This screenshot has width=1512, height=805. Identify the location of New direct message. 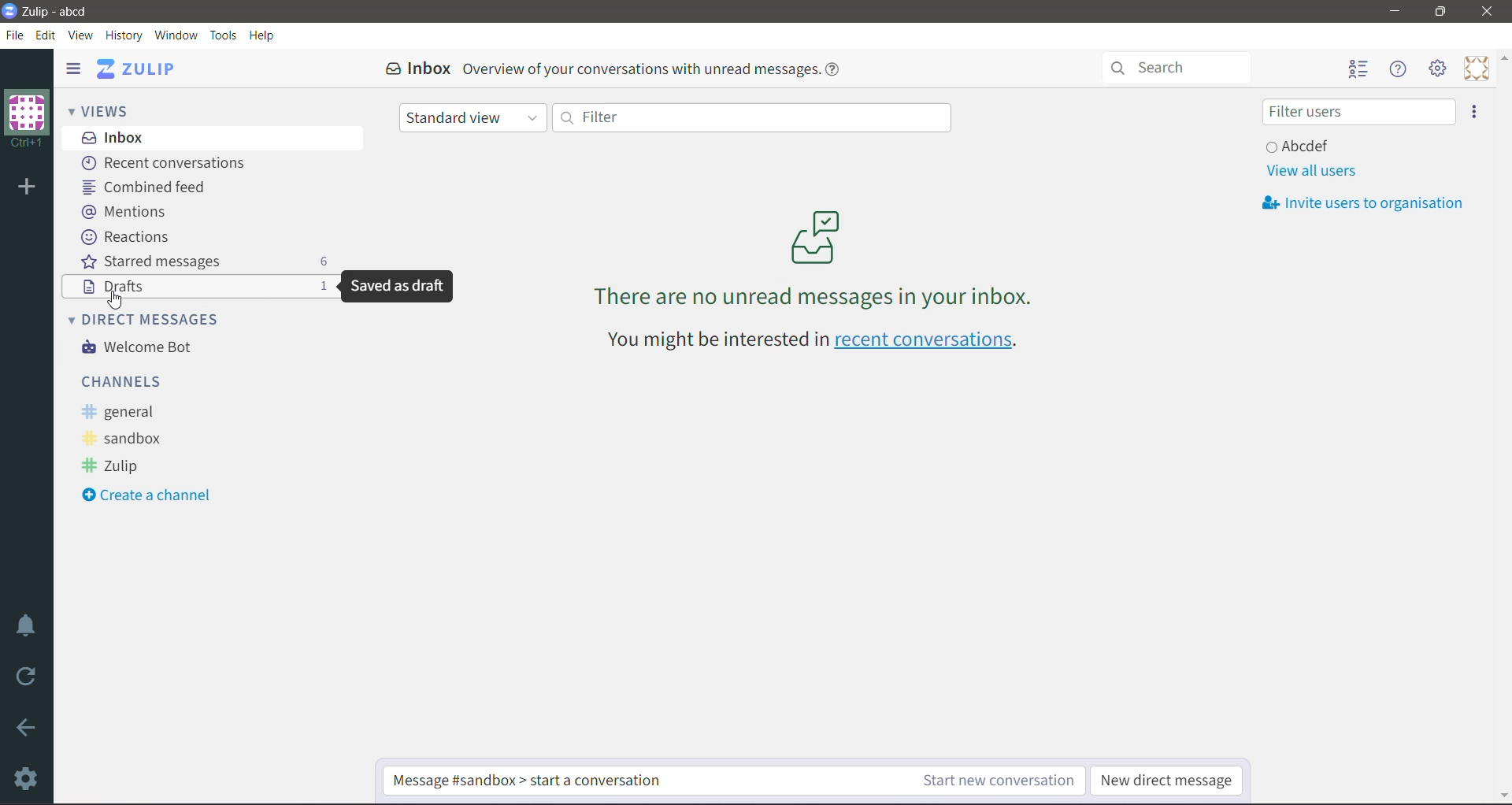
(1169, 778).